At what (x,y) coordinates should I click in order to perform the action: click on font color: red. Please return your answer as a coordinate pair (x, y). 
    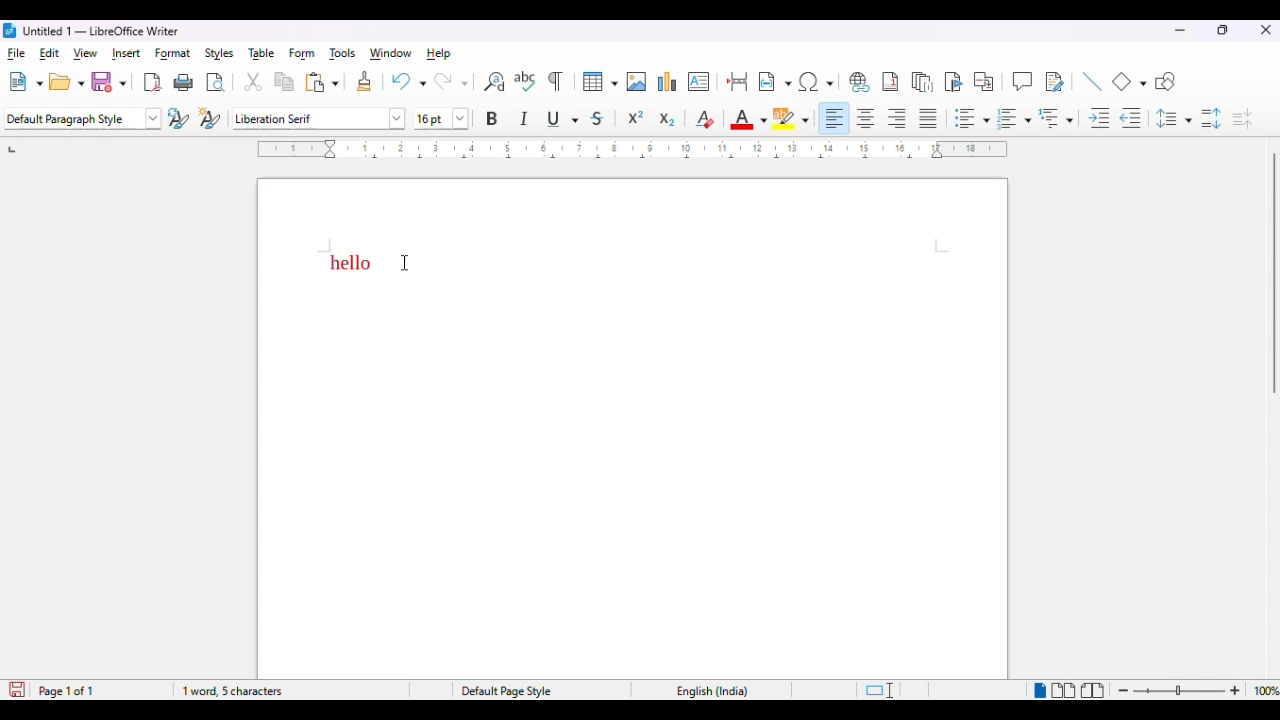
    Looking at the image, I should click on (749, 119).